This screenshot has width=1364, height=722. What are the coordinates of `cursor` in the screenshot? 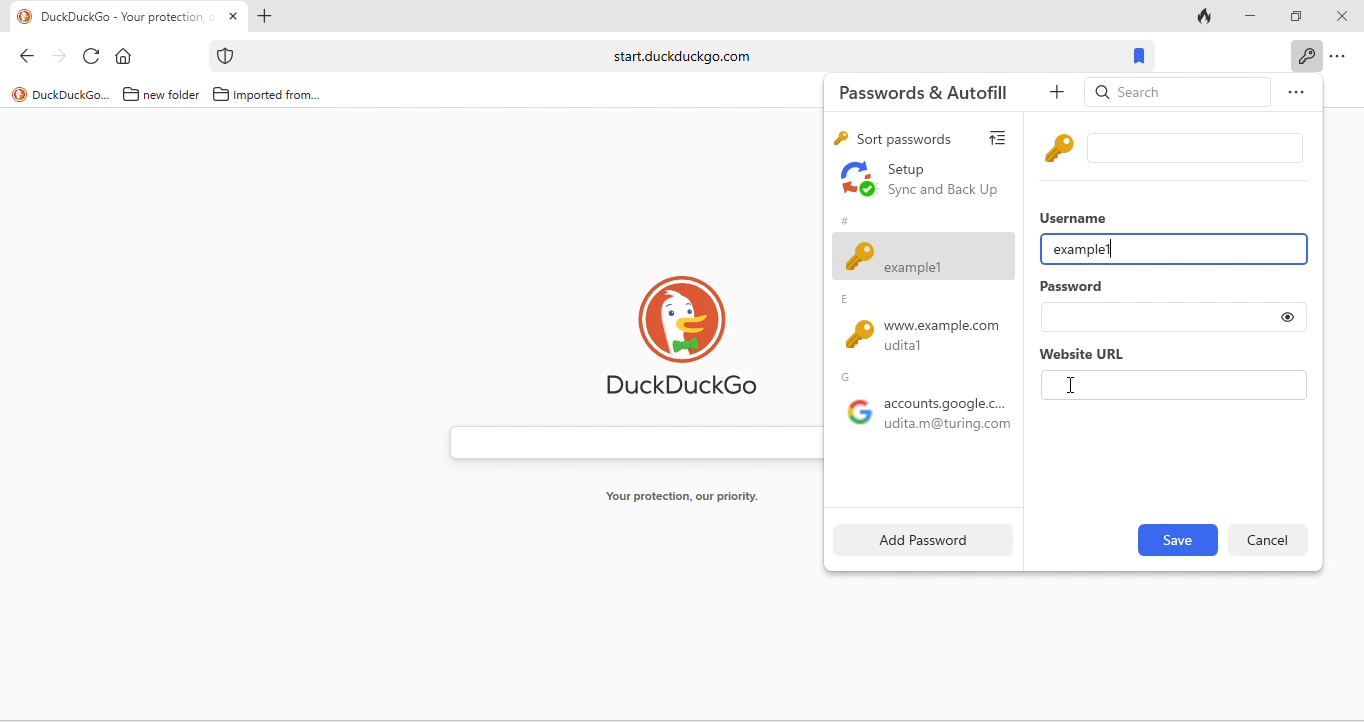 It's located at (1073, 388).